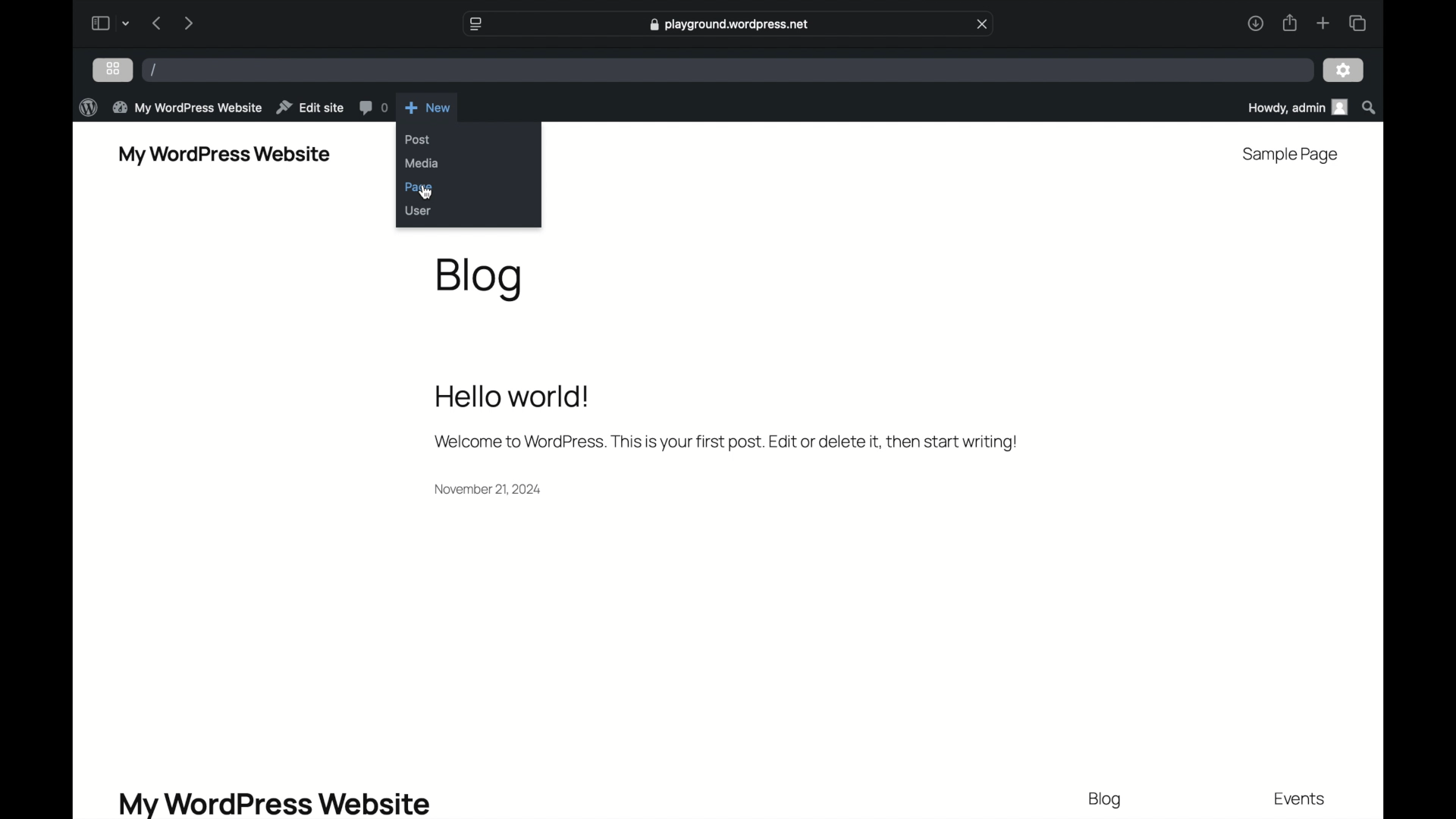 The width and height of the screenshot is (1456, 819). I want to click on web address, so click(729, 25).